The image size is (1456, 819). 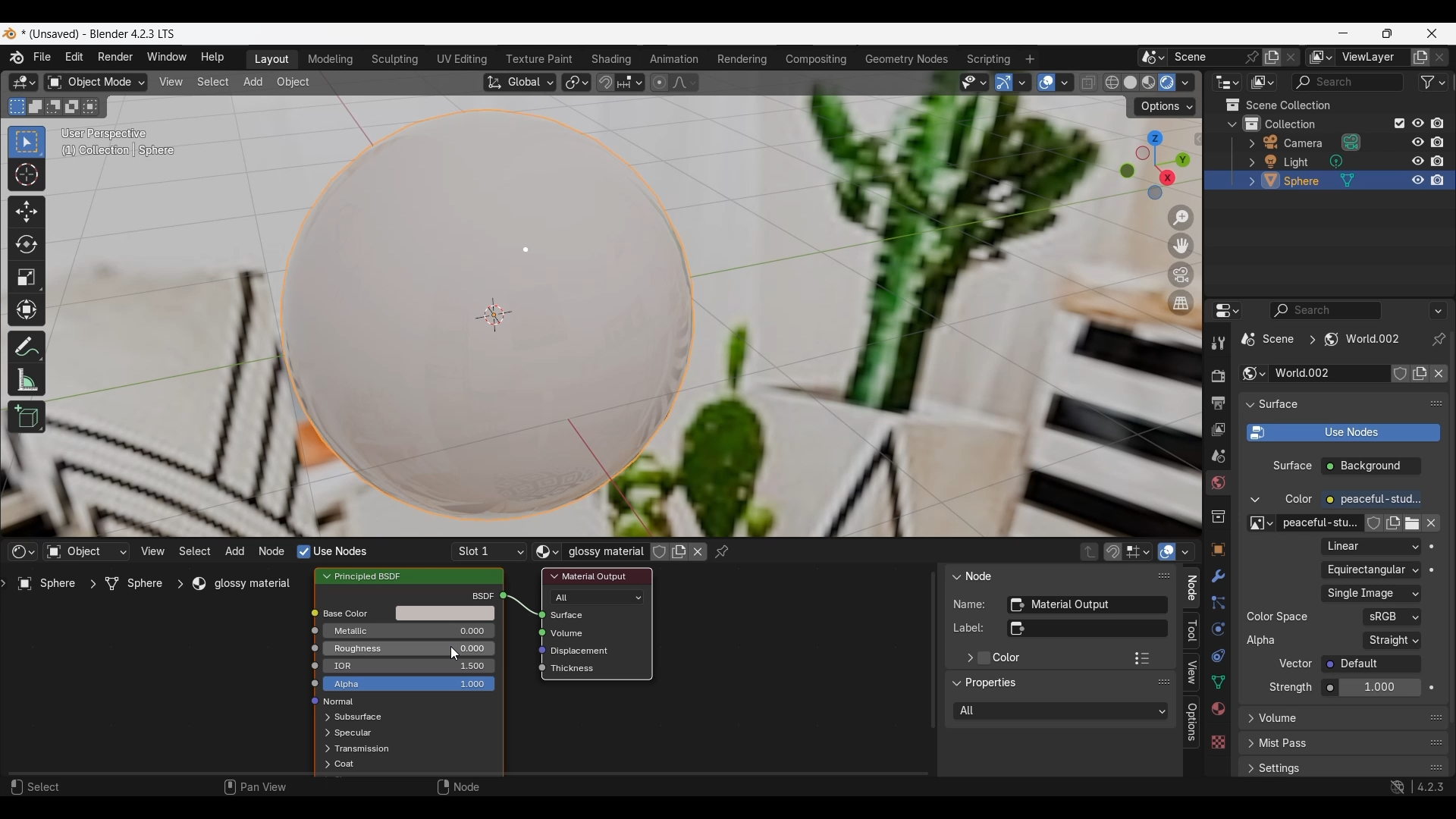 I want to click on Transform , so click(x=27, y=310).